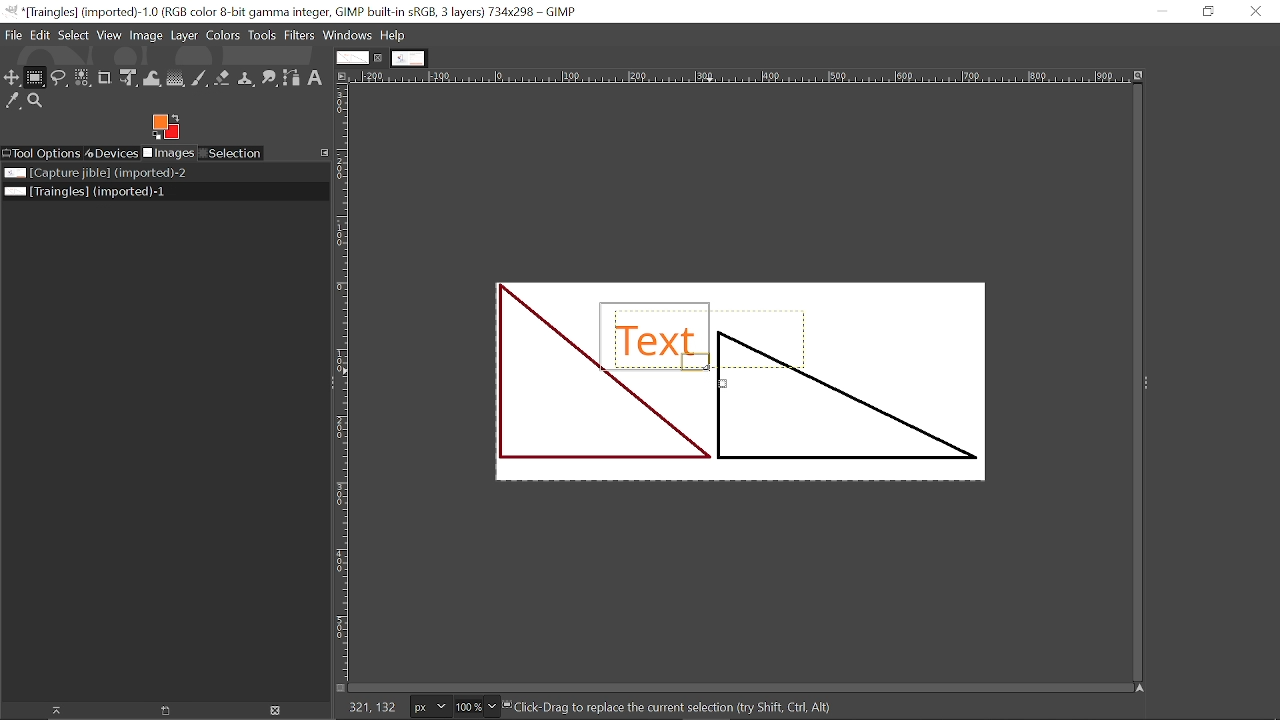 Image resolution: width=1280 pixels, height=720 pixels. I want to click on Current tab, so click(351, 58).